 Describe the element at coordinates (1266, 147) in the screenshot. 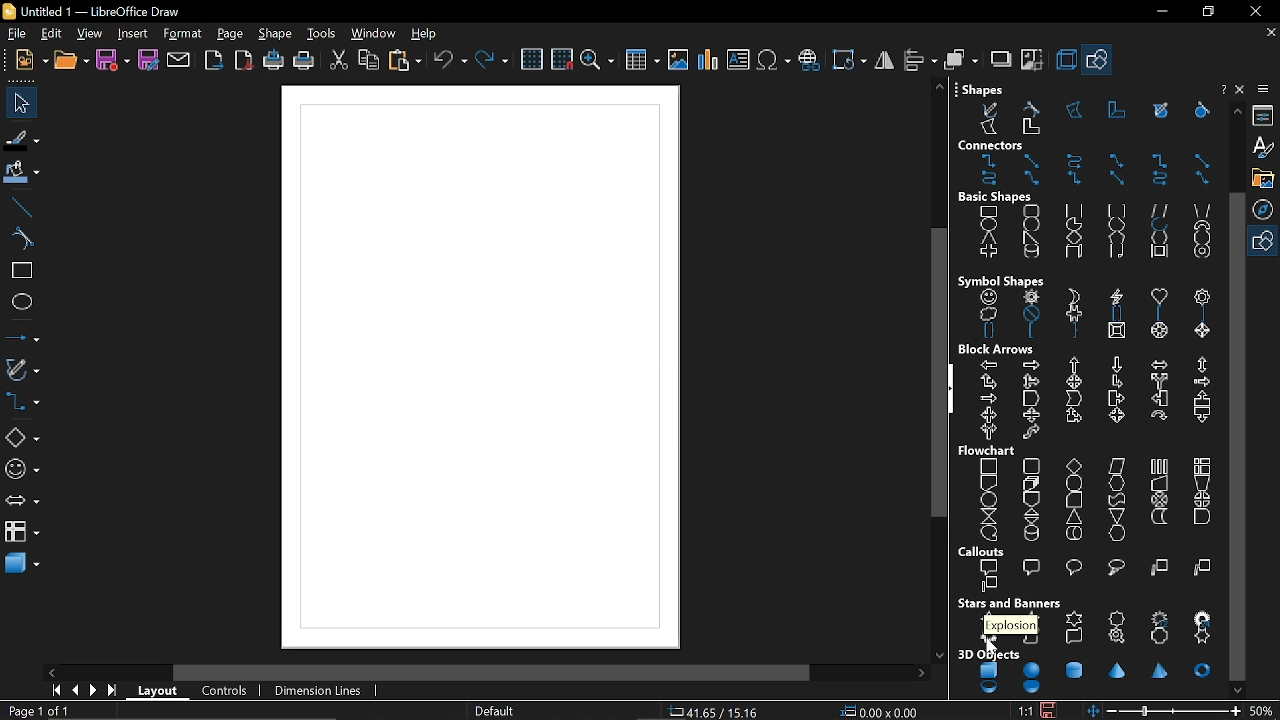

I see `styles ` at that location.